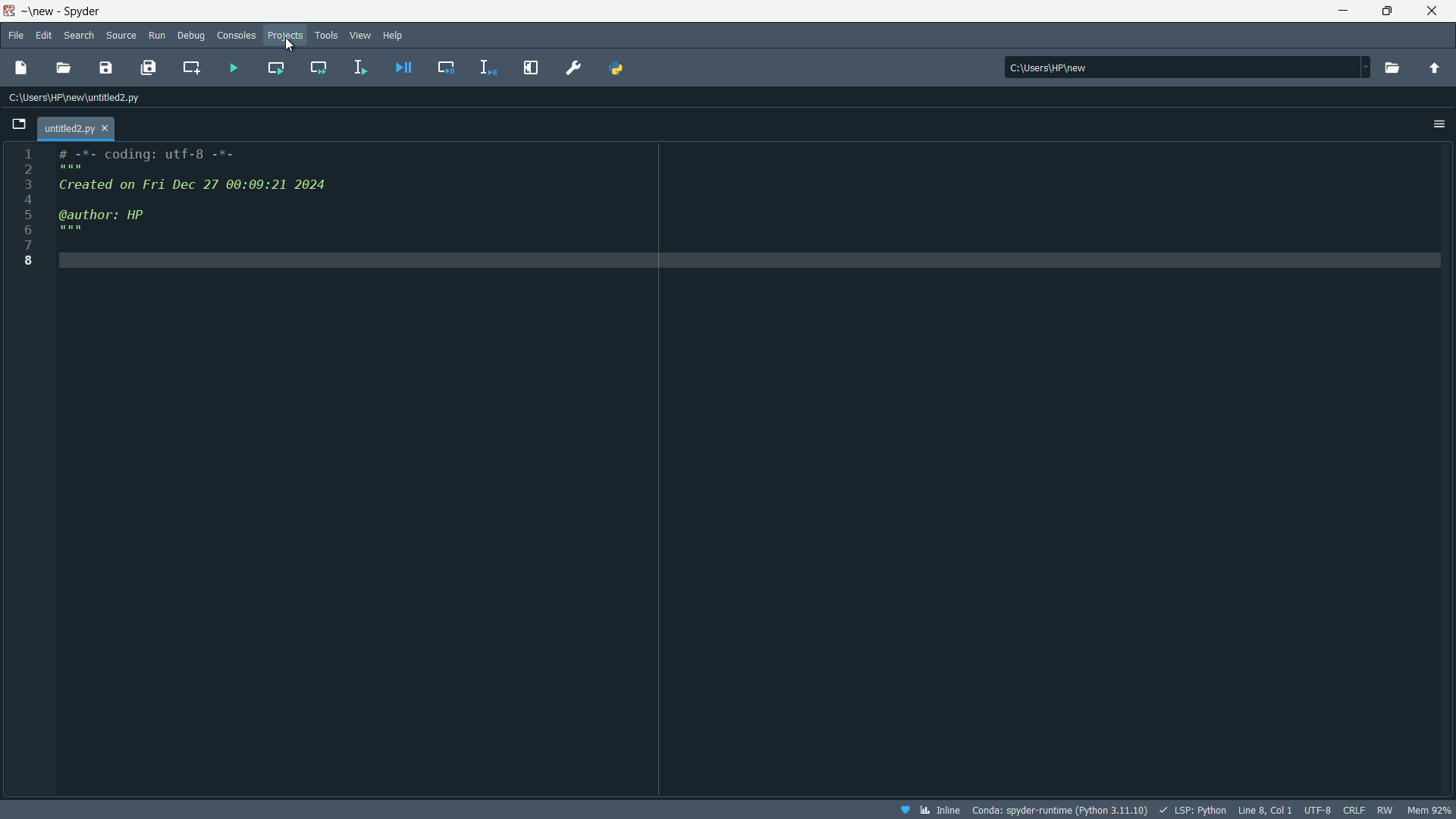  Describe the element at coordinates (395, 33) in the screenshot. I see `Help` at that location.